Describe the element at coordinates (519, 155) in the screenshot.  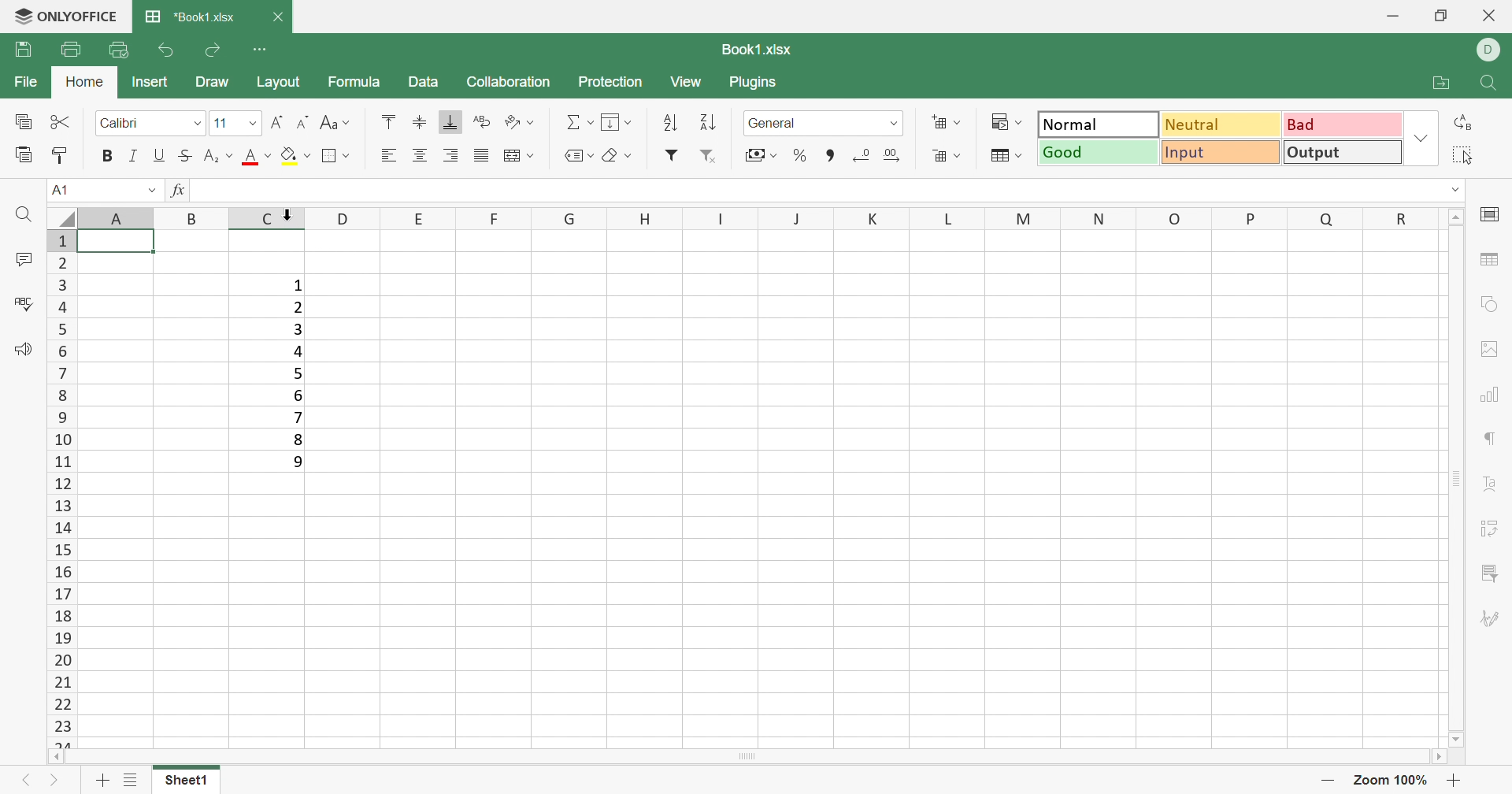
I see `Merge and center` at that location.